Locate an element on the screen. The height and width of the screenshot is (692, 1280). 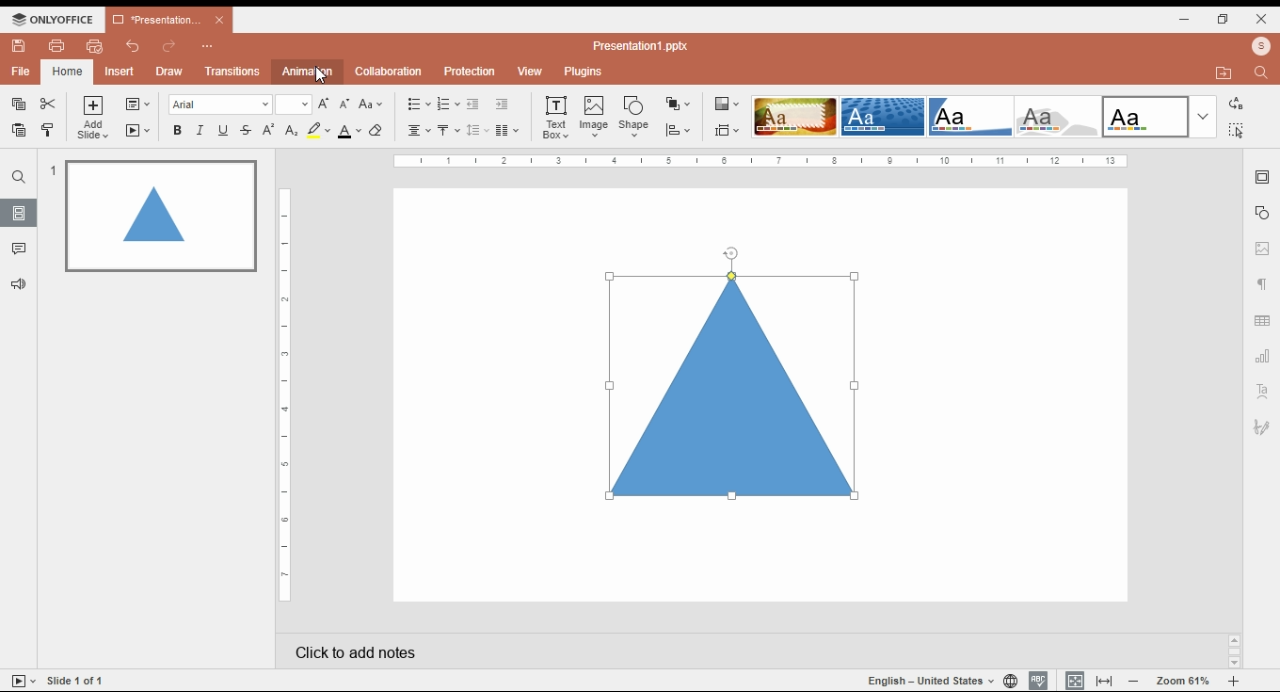
scroll bar is located at coordinates (1235, 651).